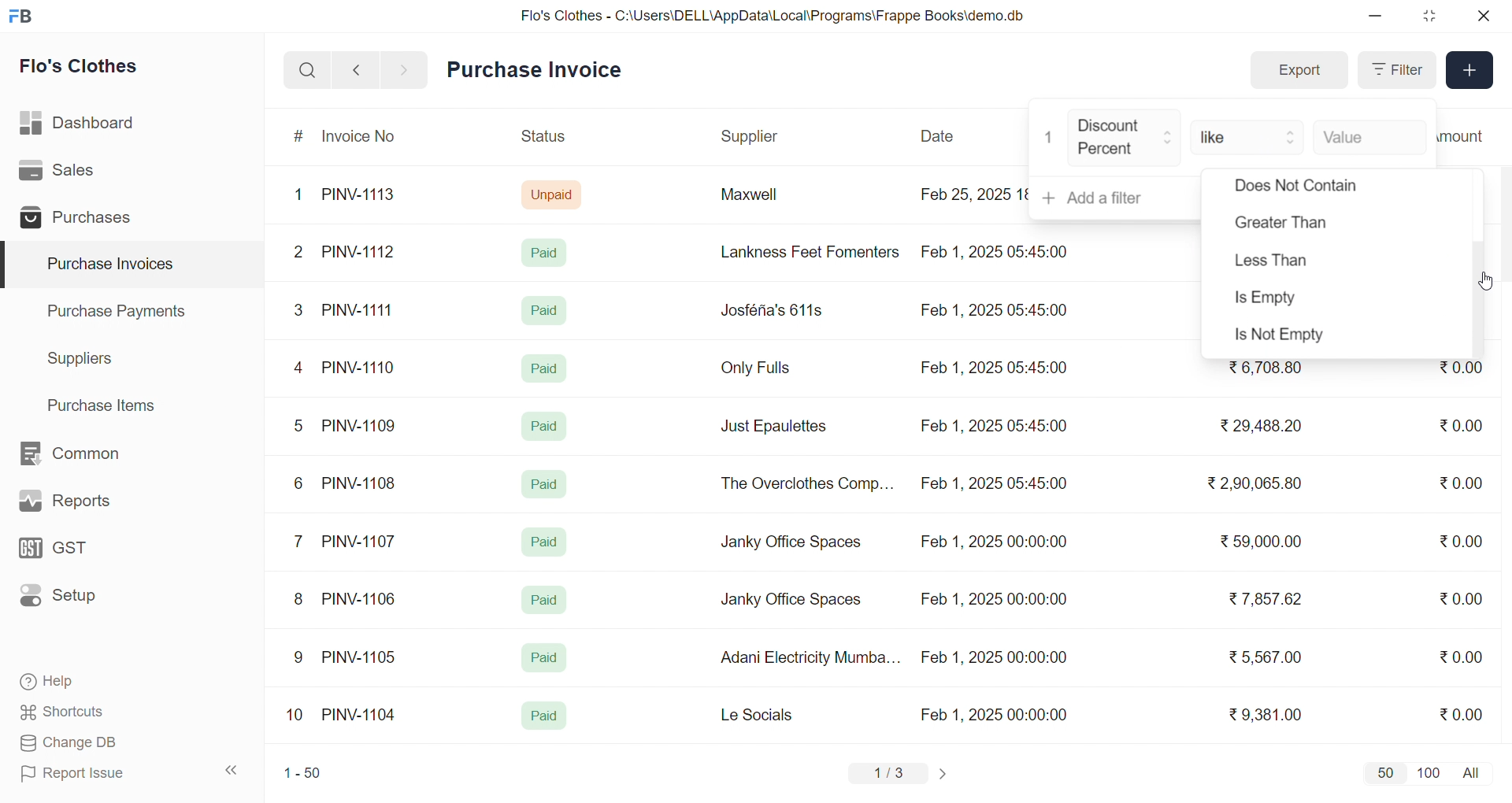  I want to click on + Add a filter, so click(1116, 198).